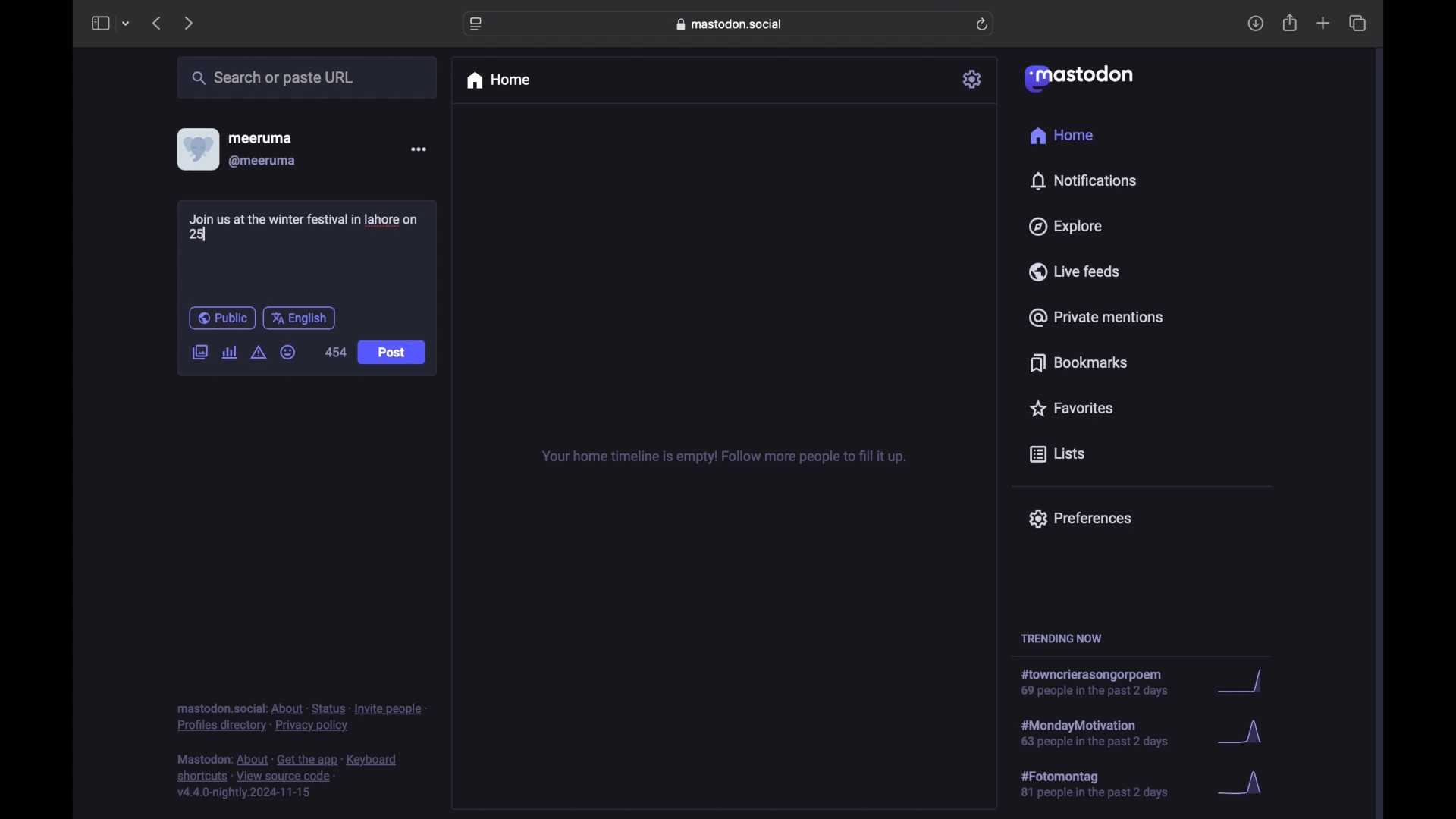 This screenshot has width=1456, height=819. What do you see at coordinates (199, 353) in the screenshot?
I see `add image` at bounding box center [199, 353].